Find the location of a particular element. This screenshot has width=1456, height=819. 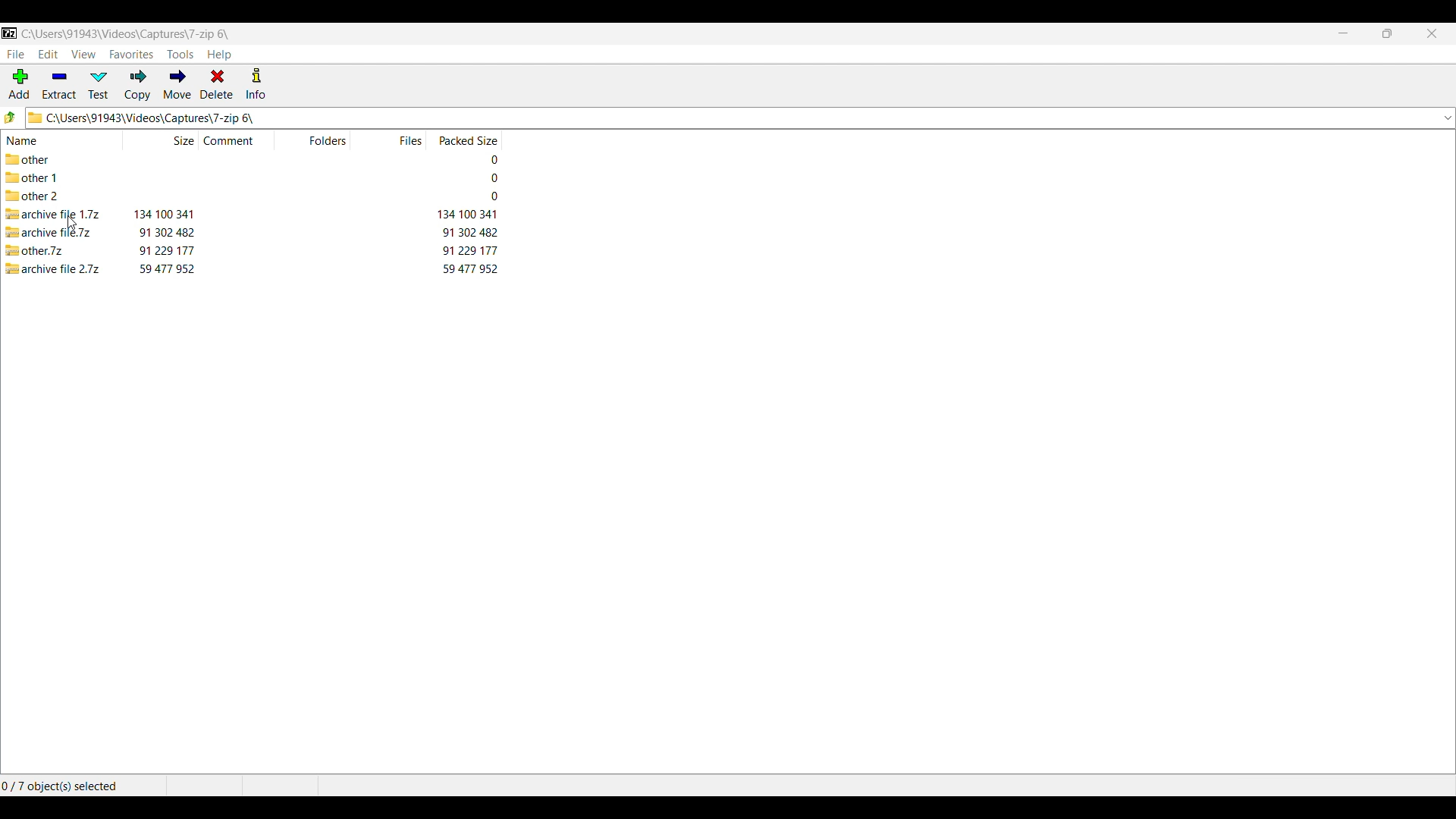

Help is located at coordinates (219, 55).